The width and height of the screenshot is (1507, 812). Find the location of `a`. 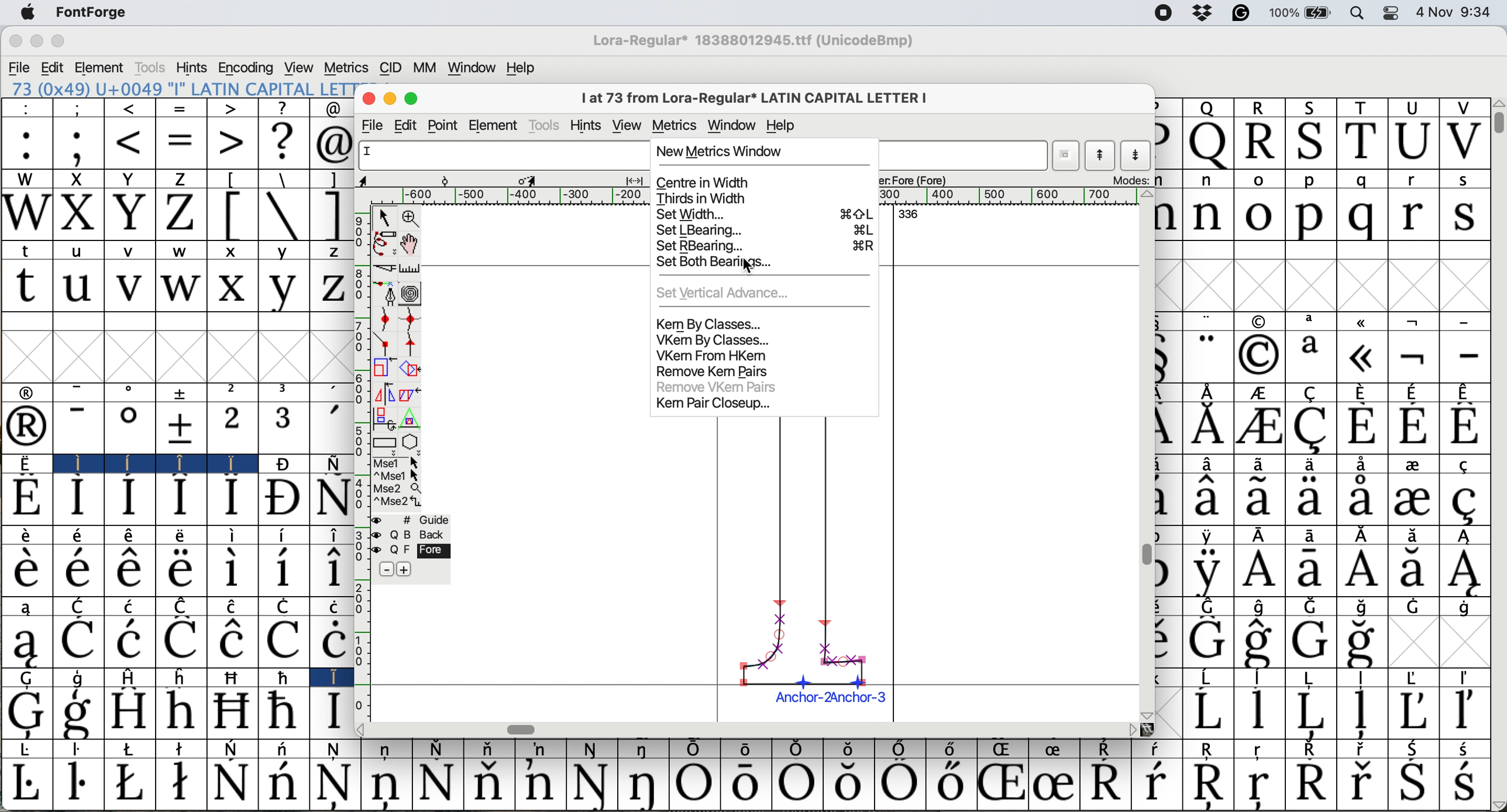

a is located at coordinates (1315, 322).